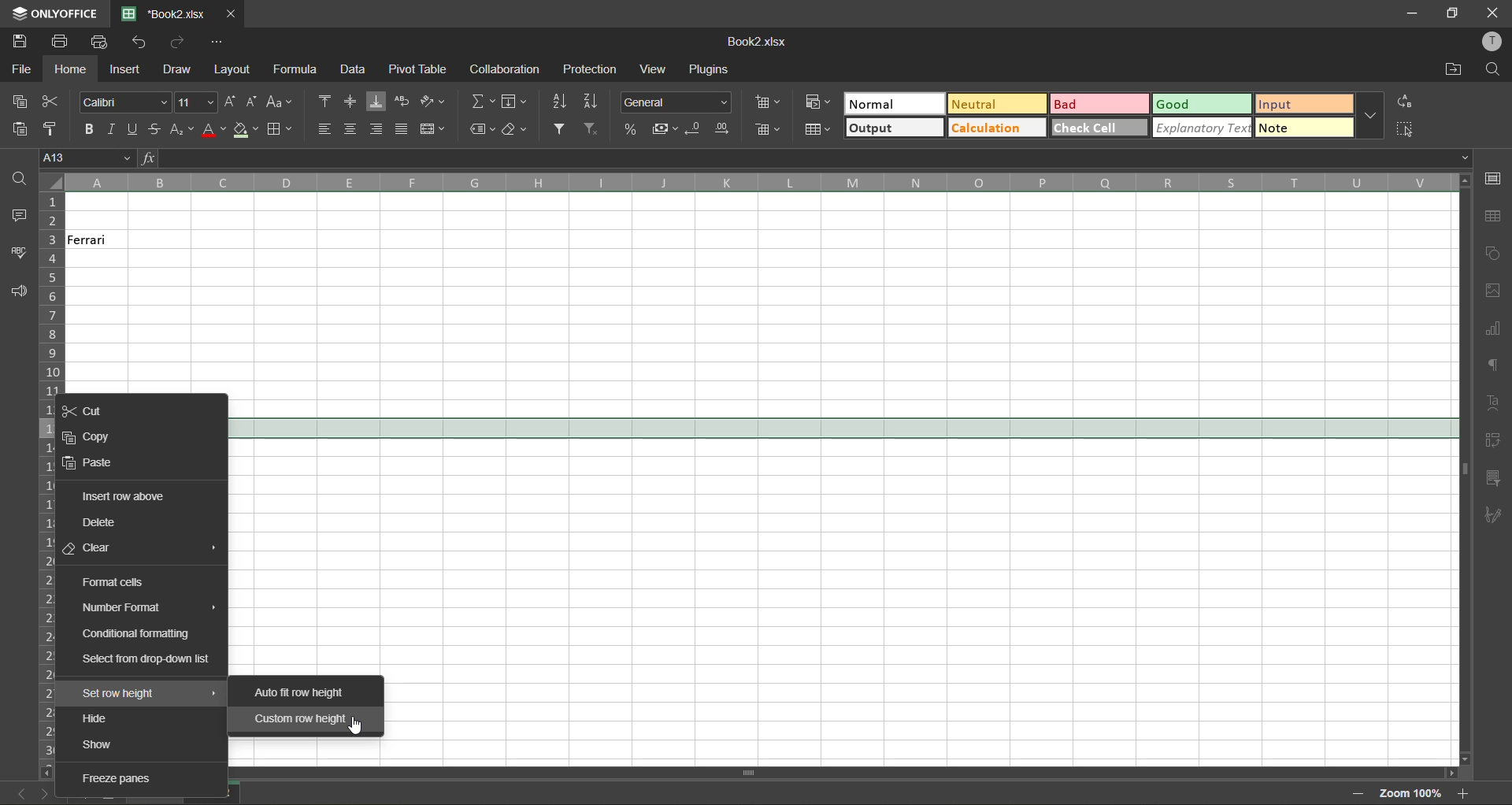 The image size is (1512, 805). What do you see at coordinates (244, 131) in the screenshot?
I see `fill color` at bounding box center [244, 131].